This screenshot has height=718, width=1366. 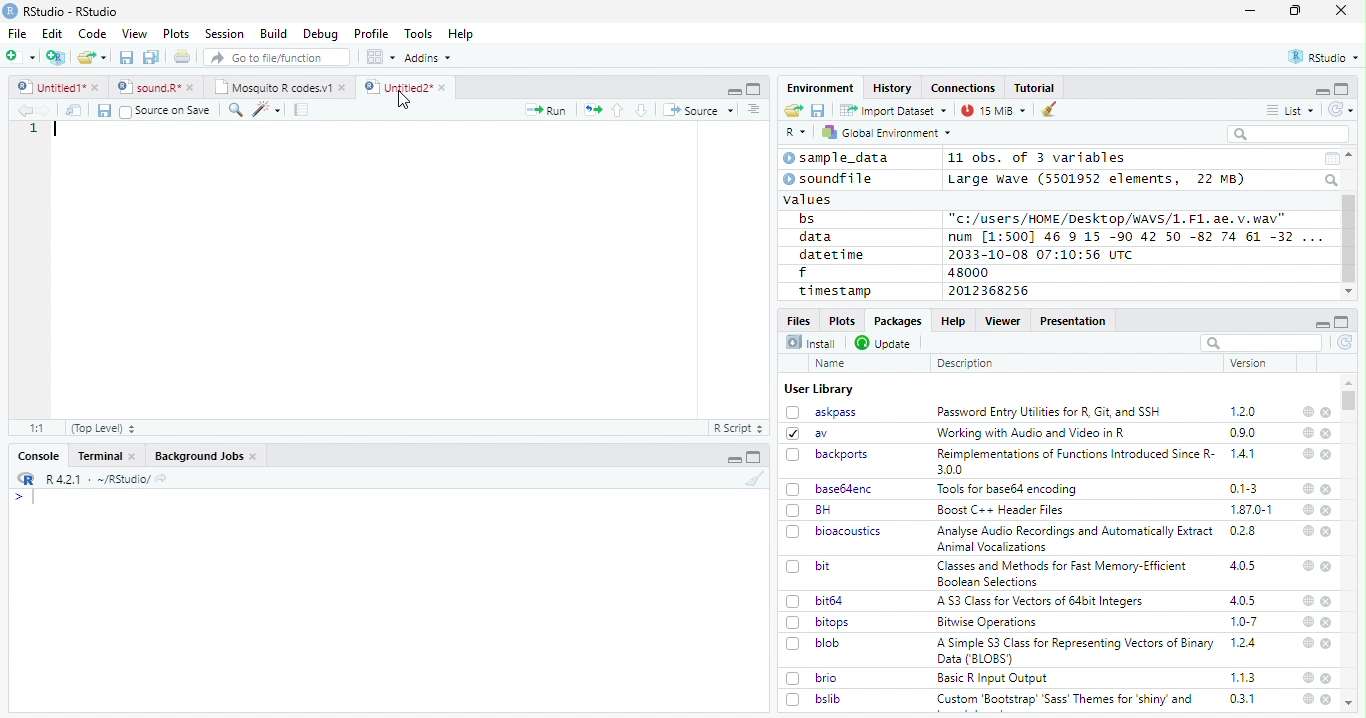 I want to click on Re-run the previous code region, so click(x=591, y=111).